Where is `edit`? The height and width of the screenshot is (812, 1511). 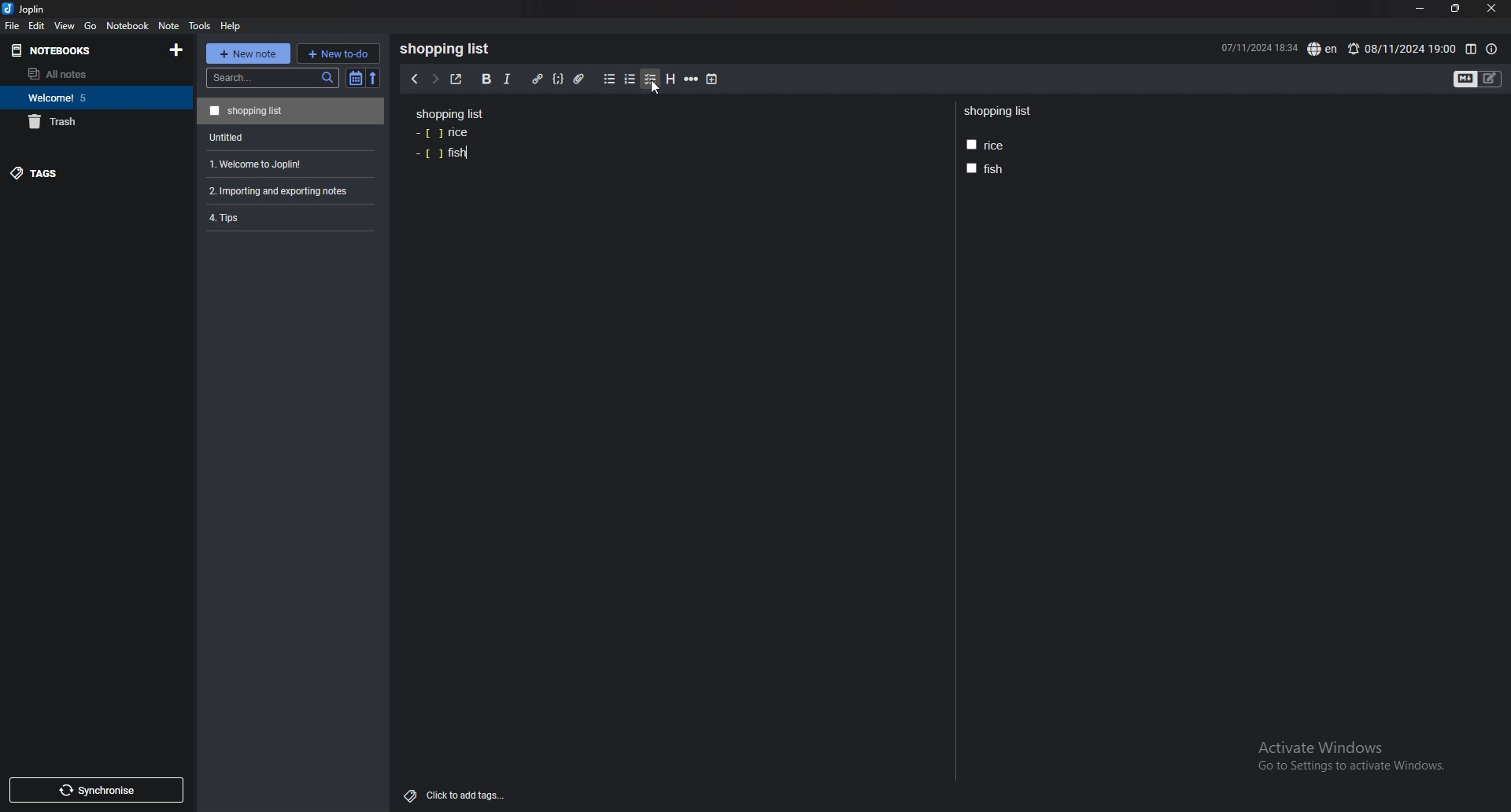
edit is located at coordinates (37, 25).